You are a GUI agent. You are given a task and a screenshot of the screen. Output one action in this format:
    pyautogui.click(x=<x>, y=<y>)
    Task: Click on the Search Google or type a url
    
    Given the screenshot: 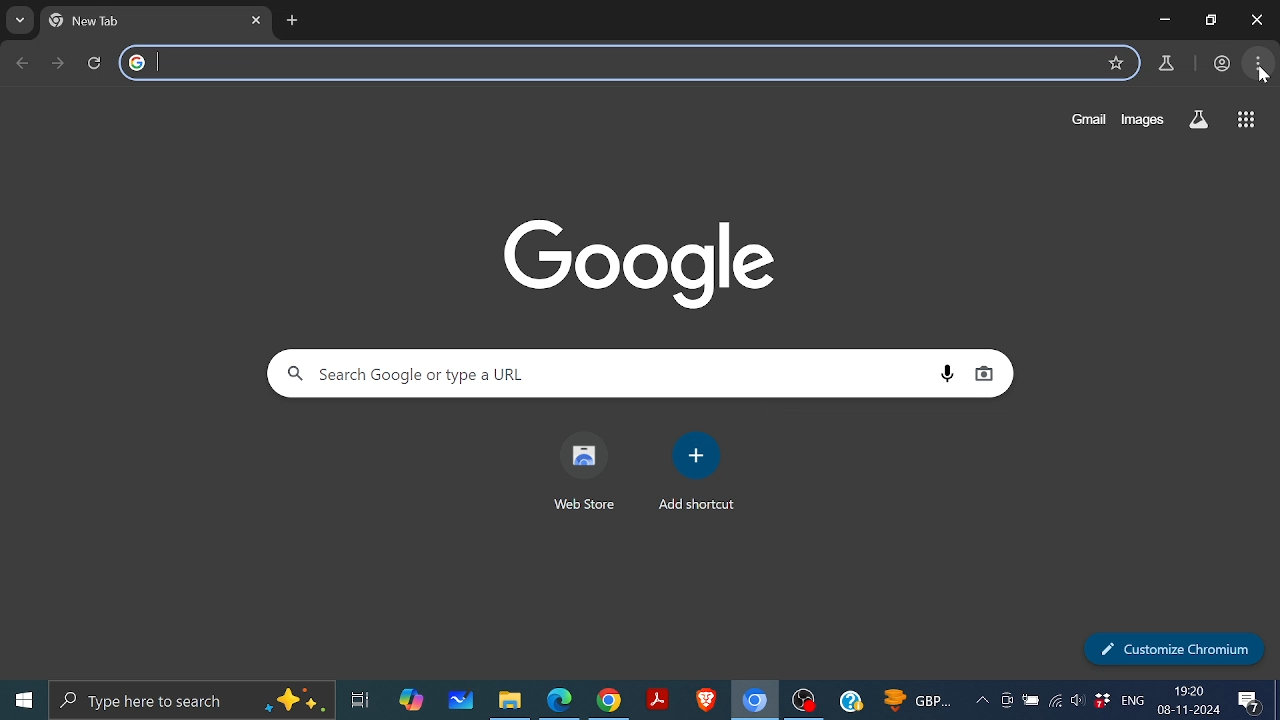 What is the action you would take?
    pyautogui.click(x=580, y=375)
    